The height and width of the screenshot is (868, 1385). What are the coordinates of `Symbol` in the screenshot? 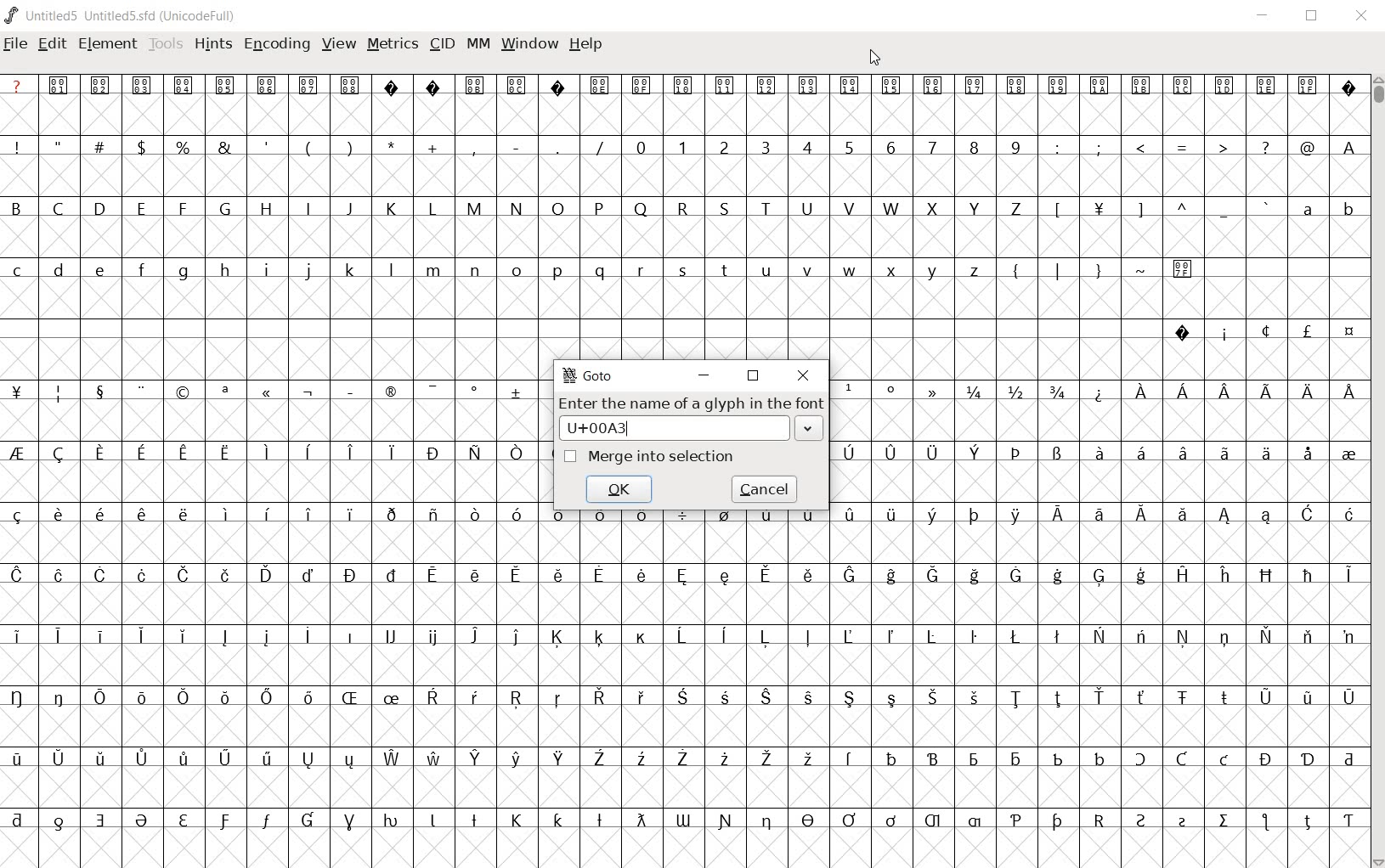 It's located at (307, 821).